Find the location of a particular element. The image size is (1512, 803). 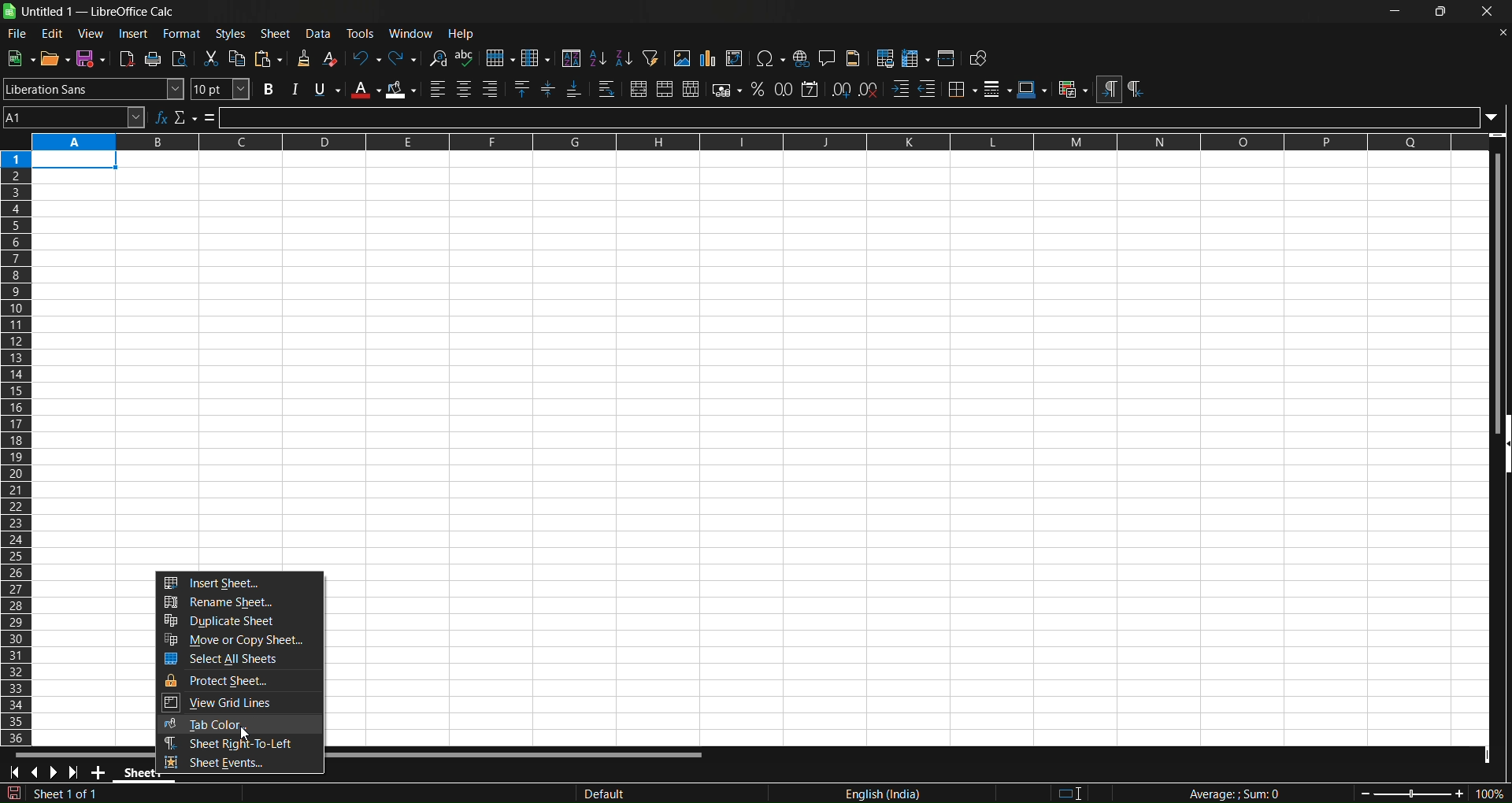

window is located at coordinates (414, 33).